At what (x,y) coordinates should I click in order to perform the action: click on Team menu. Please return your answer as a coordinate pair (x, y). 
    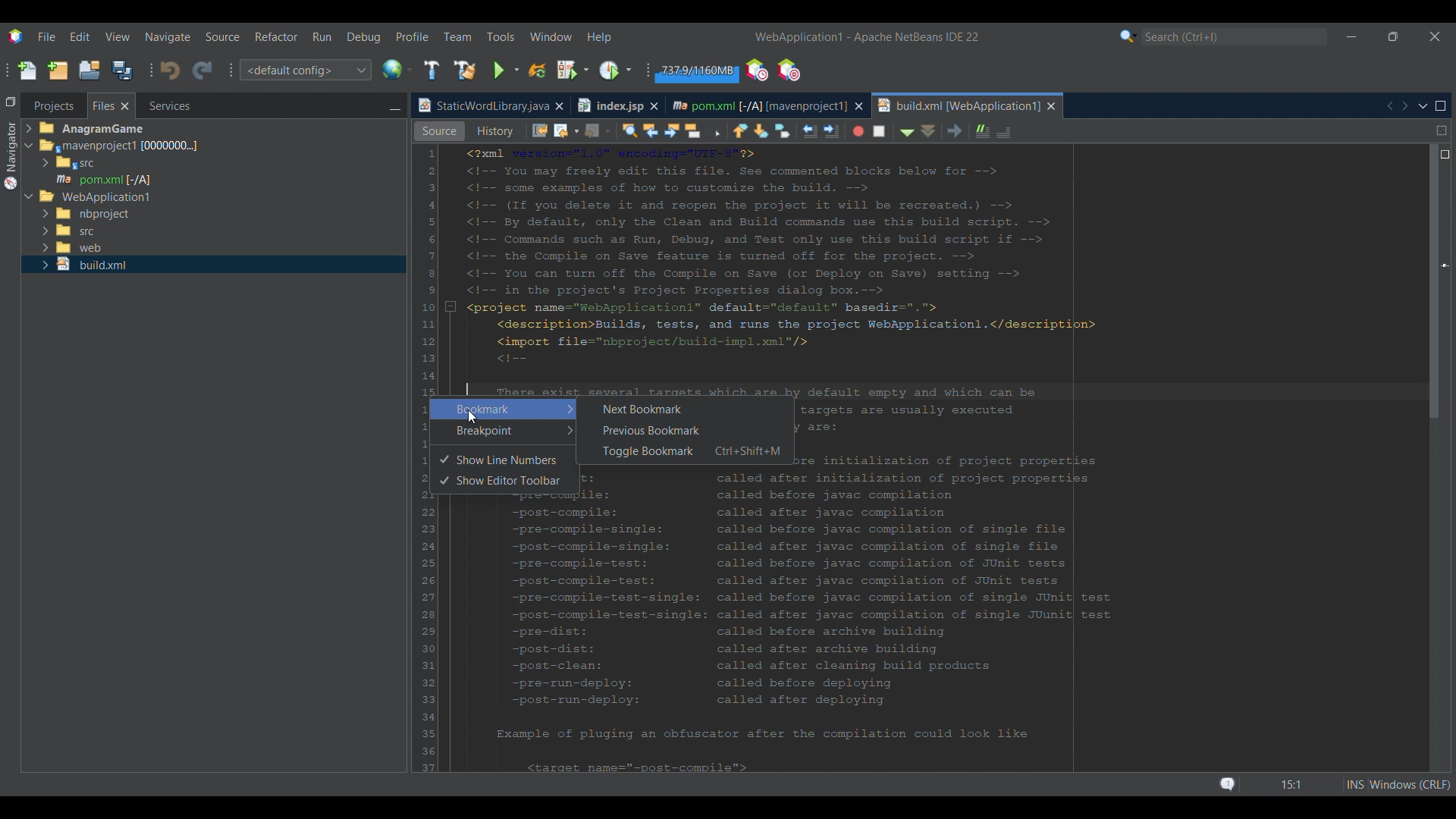
    Looking at the image, I should click on (457, 36).